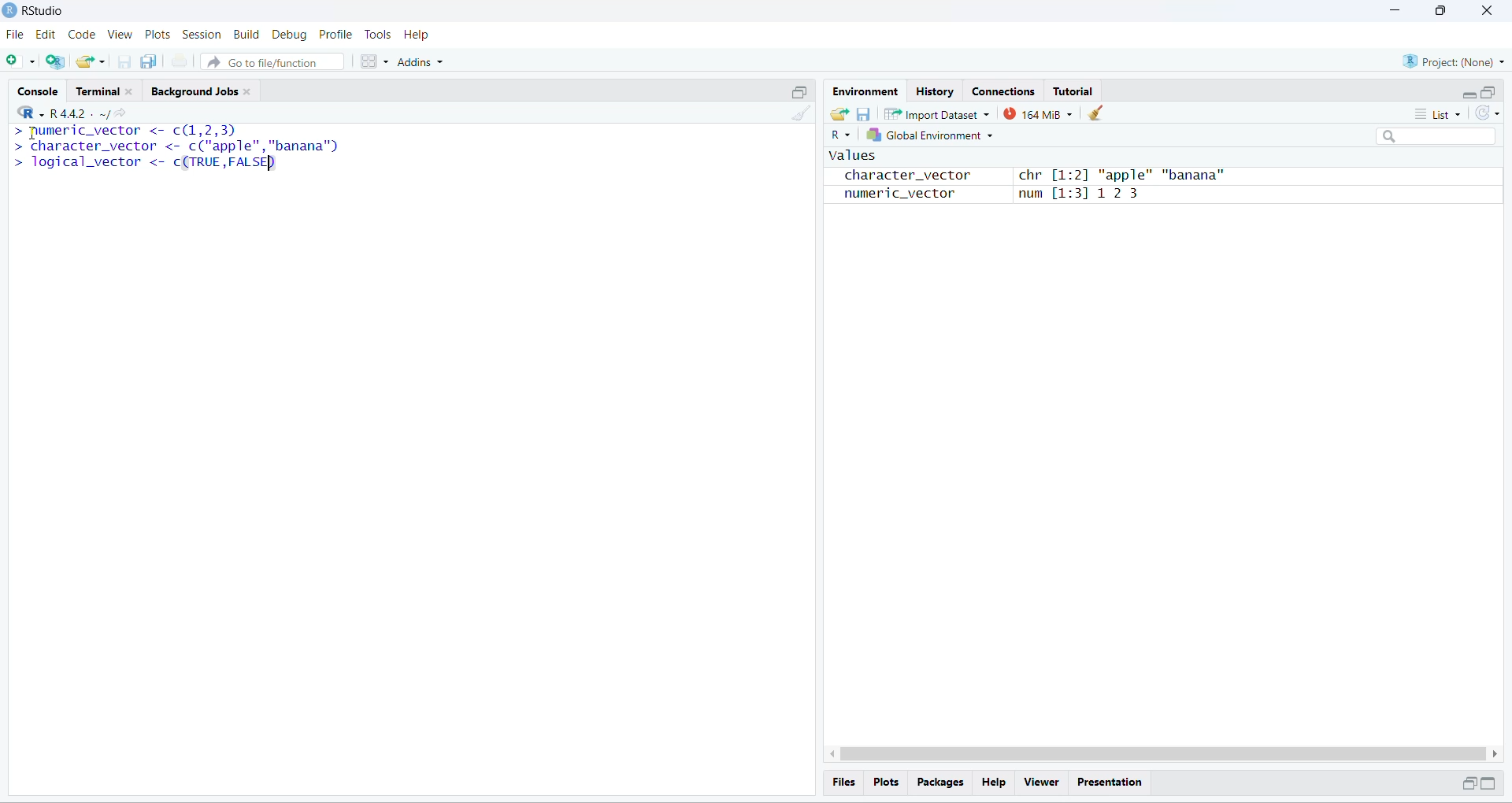 The image size is (1512, 803). Describe the element at coordinates (80, 35) in the screenshot. I see `Code` at that location.